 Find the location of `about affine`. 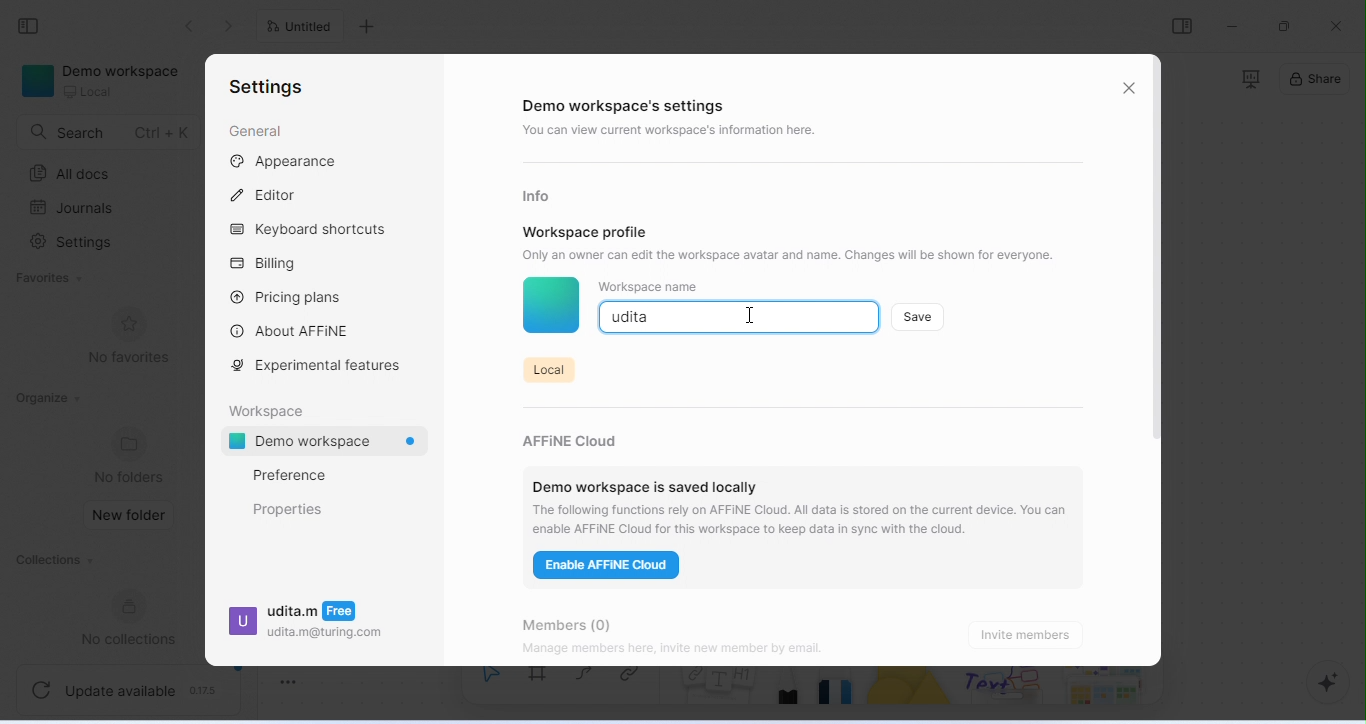

about affine is located at coordinates (293, 330).